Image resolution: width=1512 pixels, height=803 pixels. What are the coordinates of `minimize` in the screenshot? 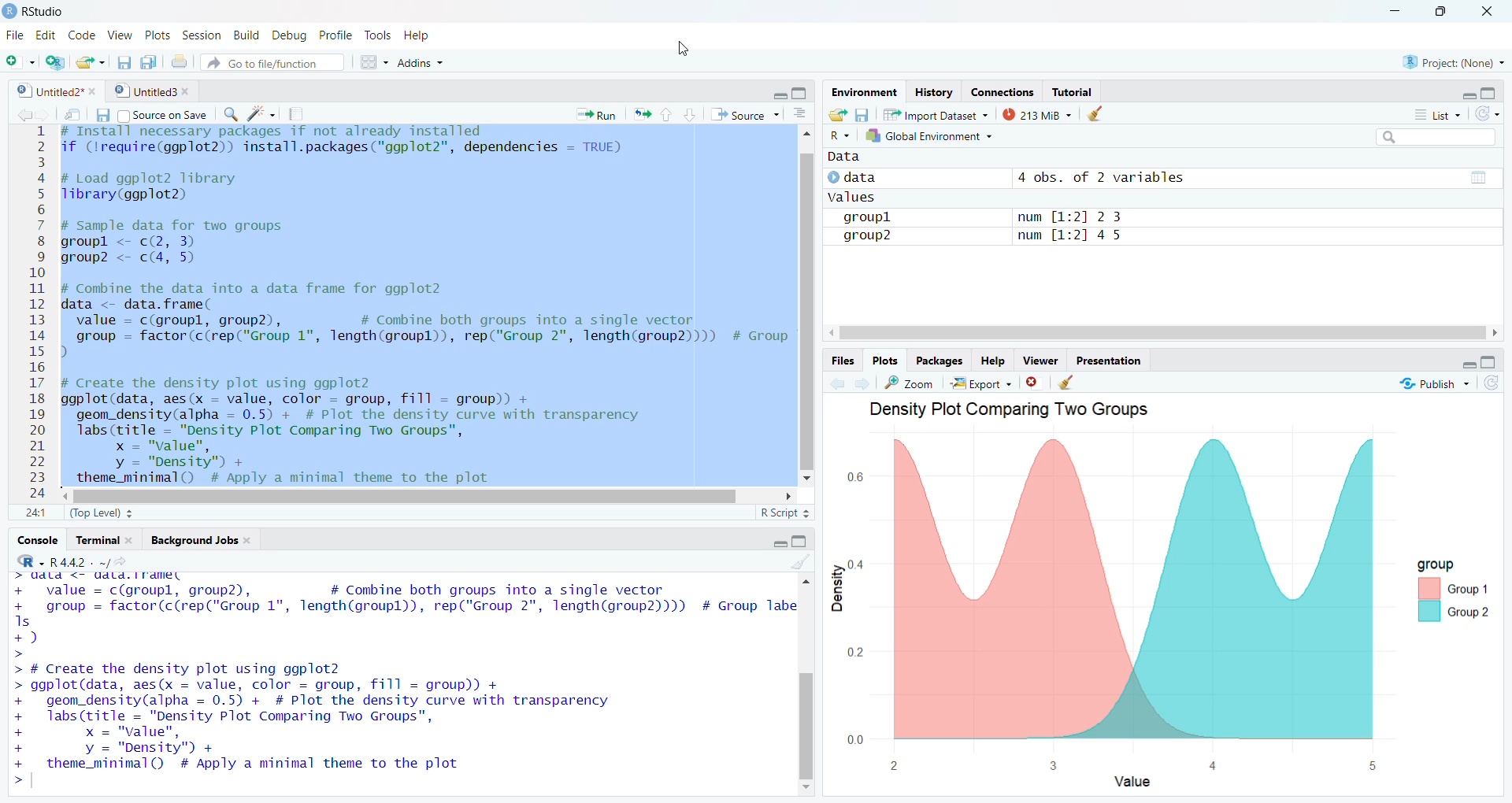 It's located at (772, 96).